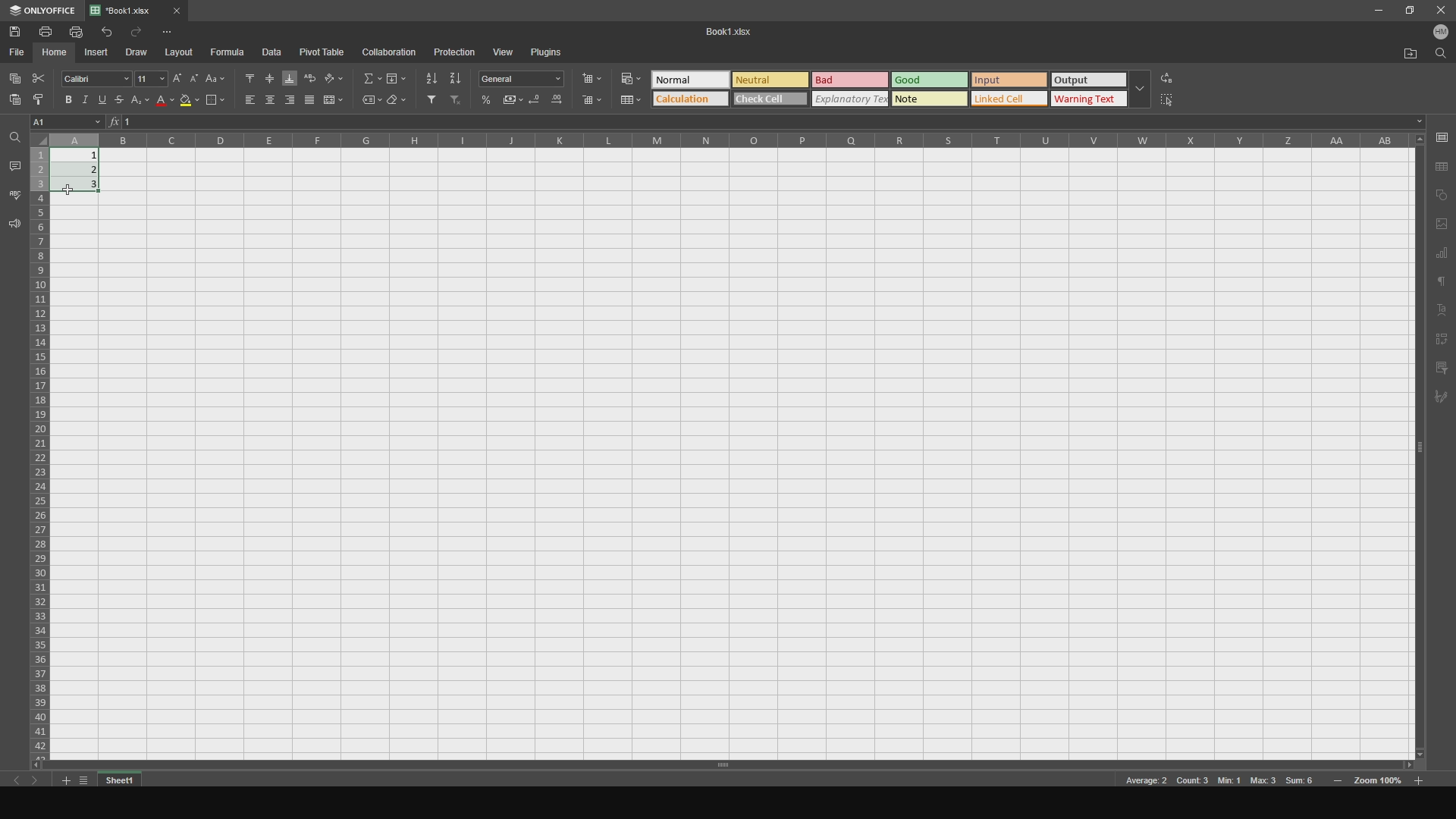  I want to click on align right, so click(288, 101).